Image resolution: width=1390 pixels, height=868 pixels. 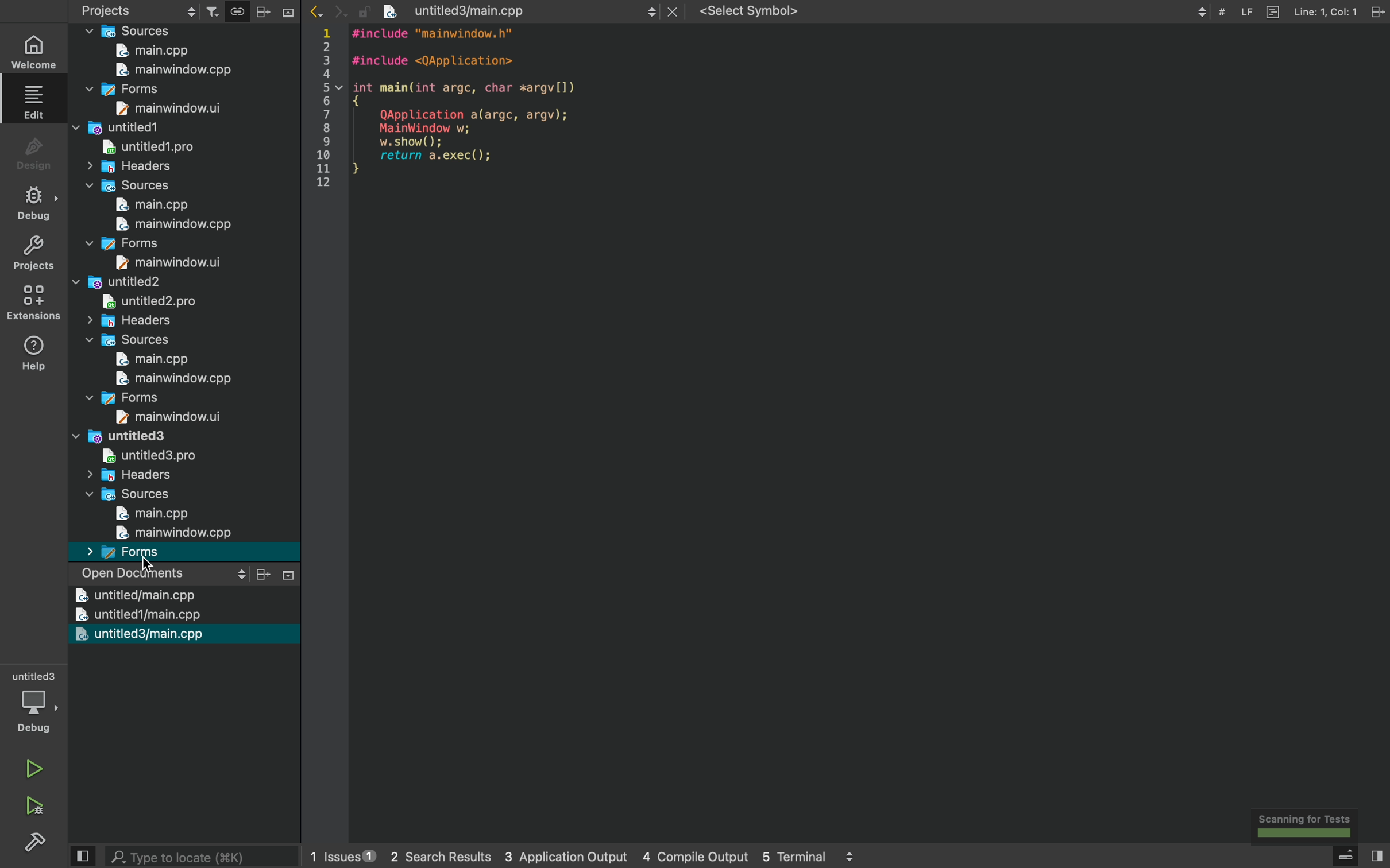 I want to click on 2 search results, so click(x=428, y=857).